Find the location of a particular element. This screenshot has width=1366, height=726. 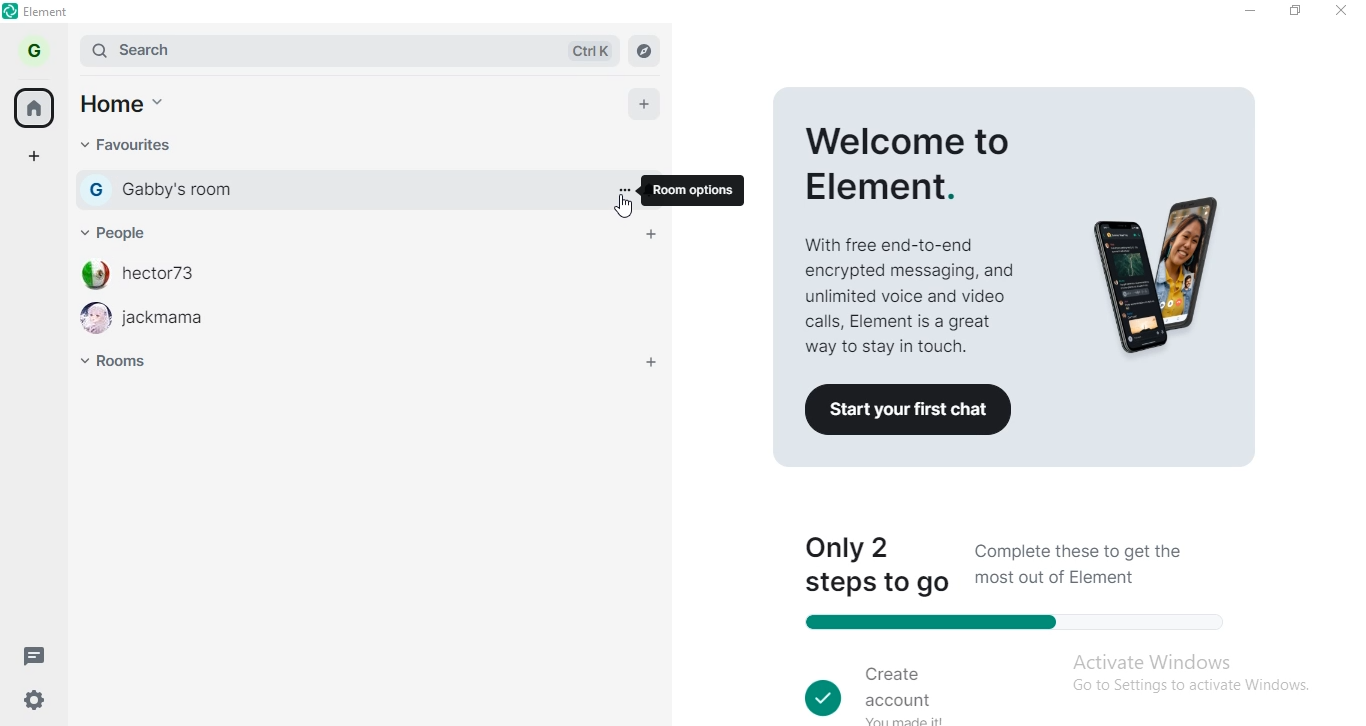

message is located at coordinates (41, 658).